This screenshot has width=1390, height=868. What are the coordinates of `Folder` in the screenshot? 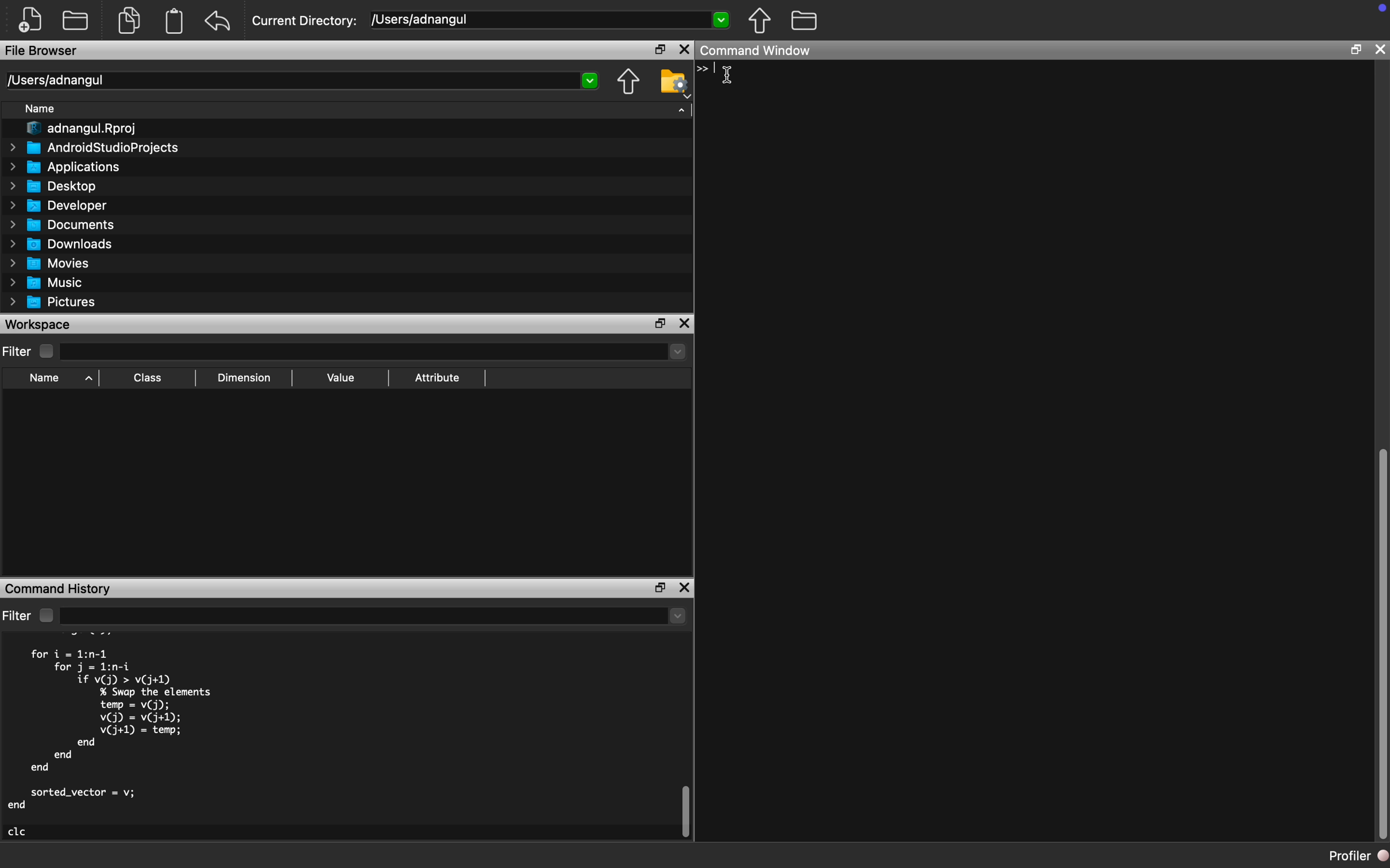 It's located at (75, 22).